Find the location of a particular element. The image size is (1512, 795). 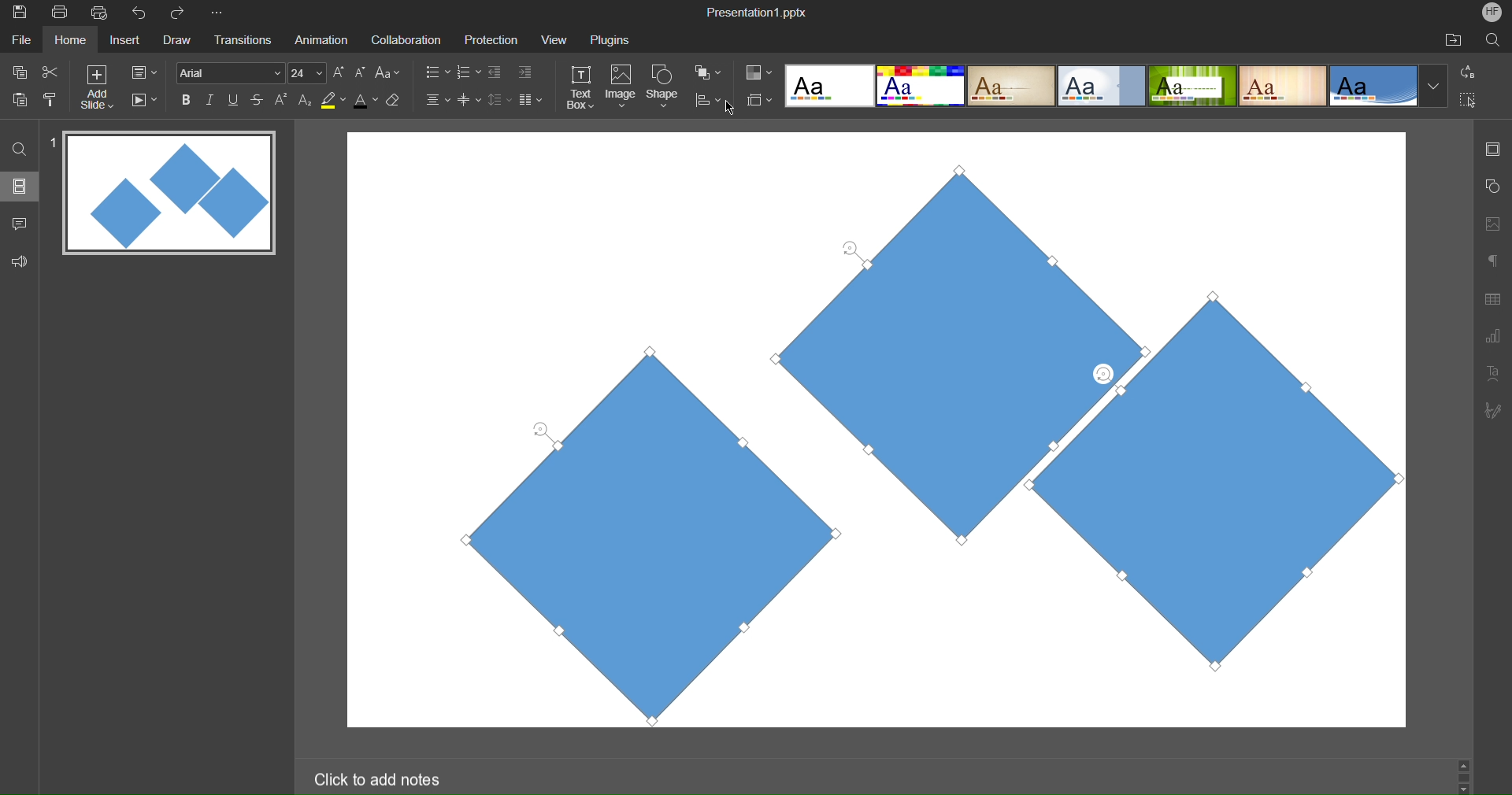

Subscript is located at coordinates (306, 99).